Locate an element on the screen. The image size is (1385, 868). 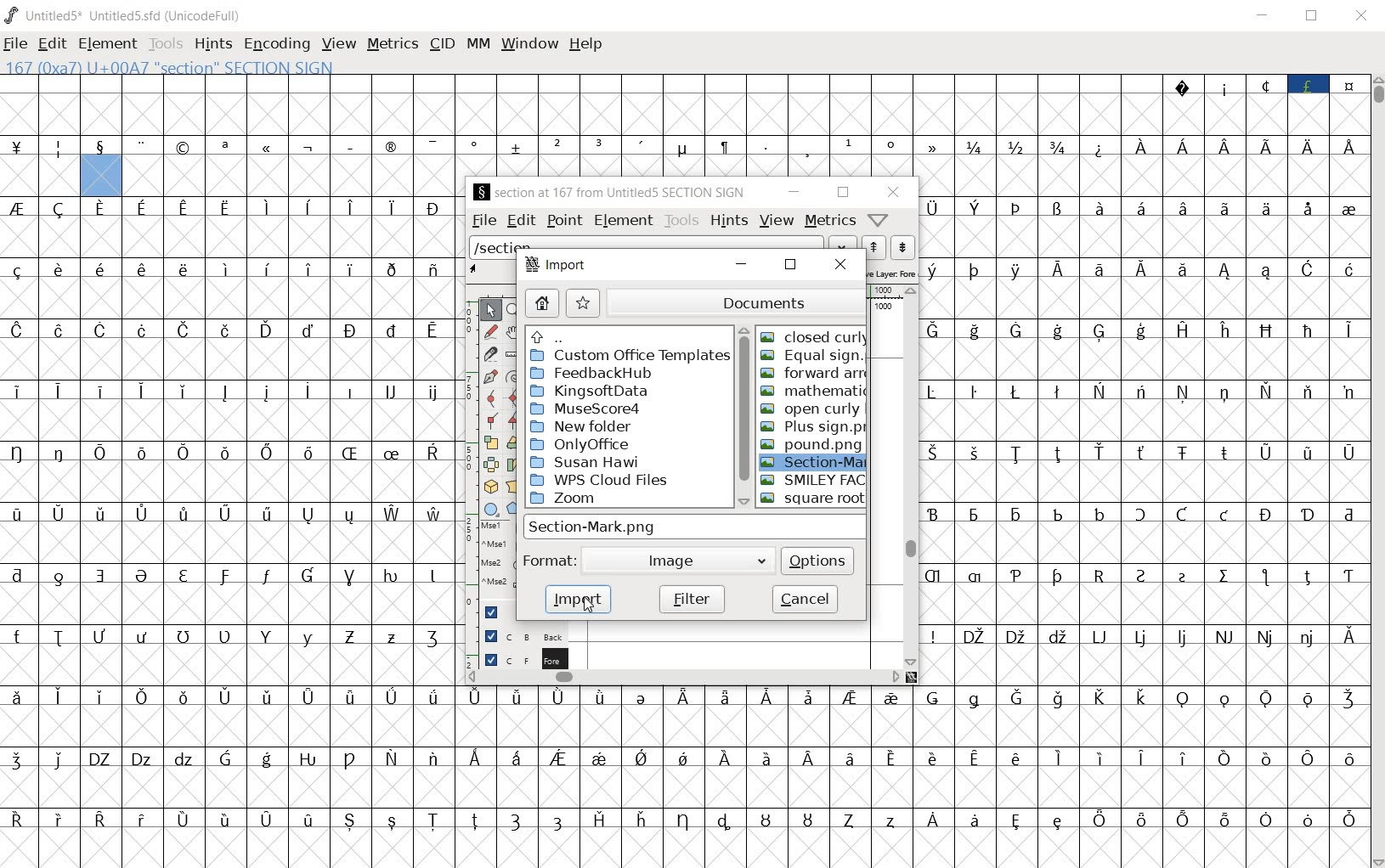
special letters is located at coordinates (1139, 206).